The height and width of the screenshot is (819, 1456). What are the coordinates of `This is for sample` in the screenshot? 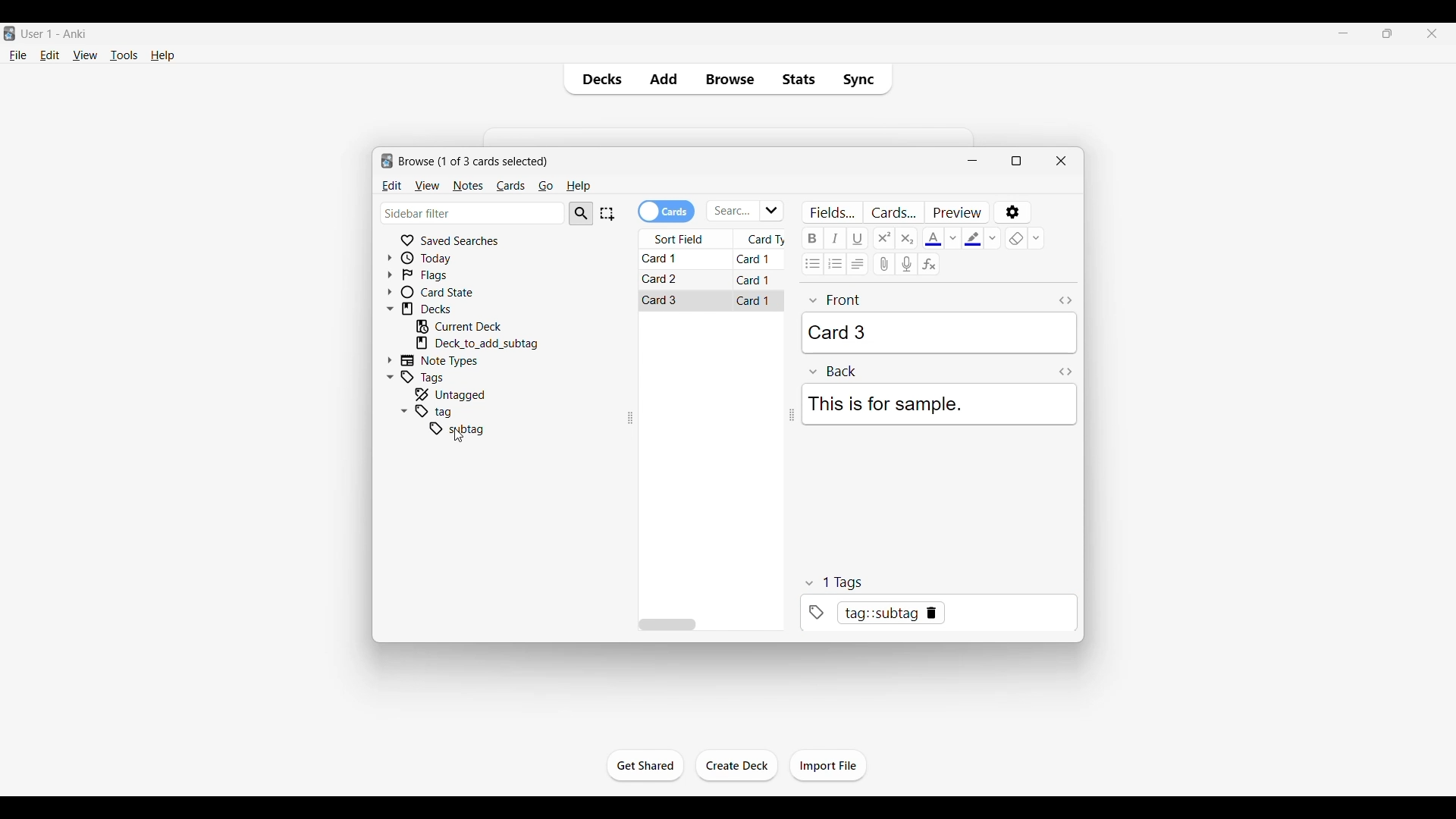 It's located at (938, 404).